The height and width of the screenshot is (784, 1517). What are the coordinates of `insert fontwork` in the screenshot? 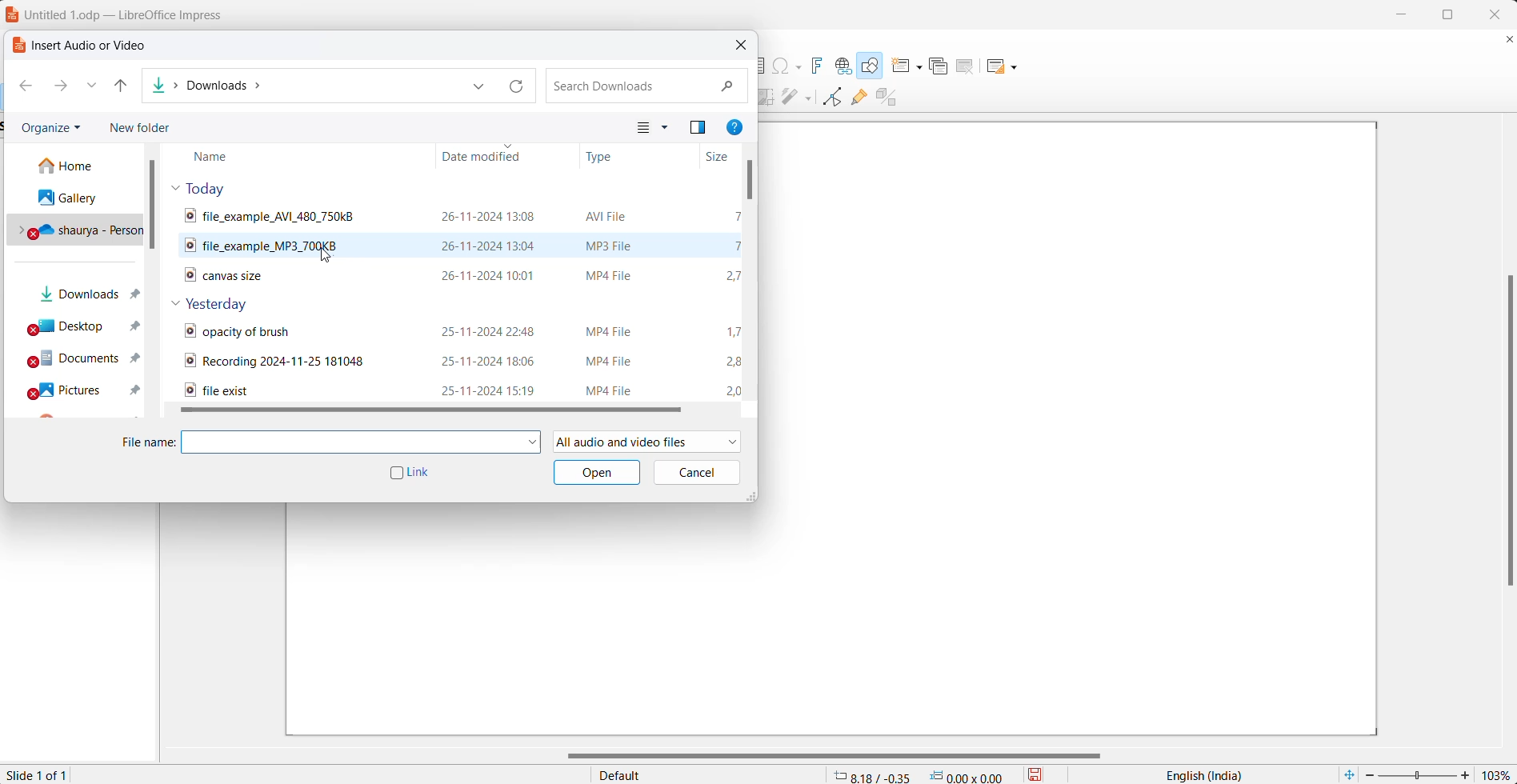 It's located at (821, 64).